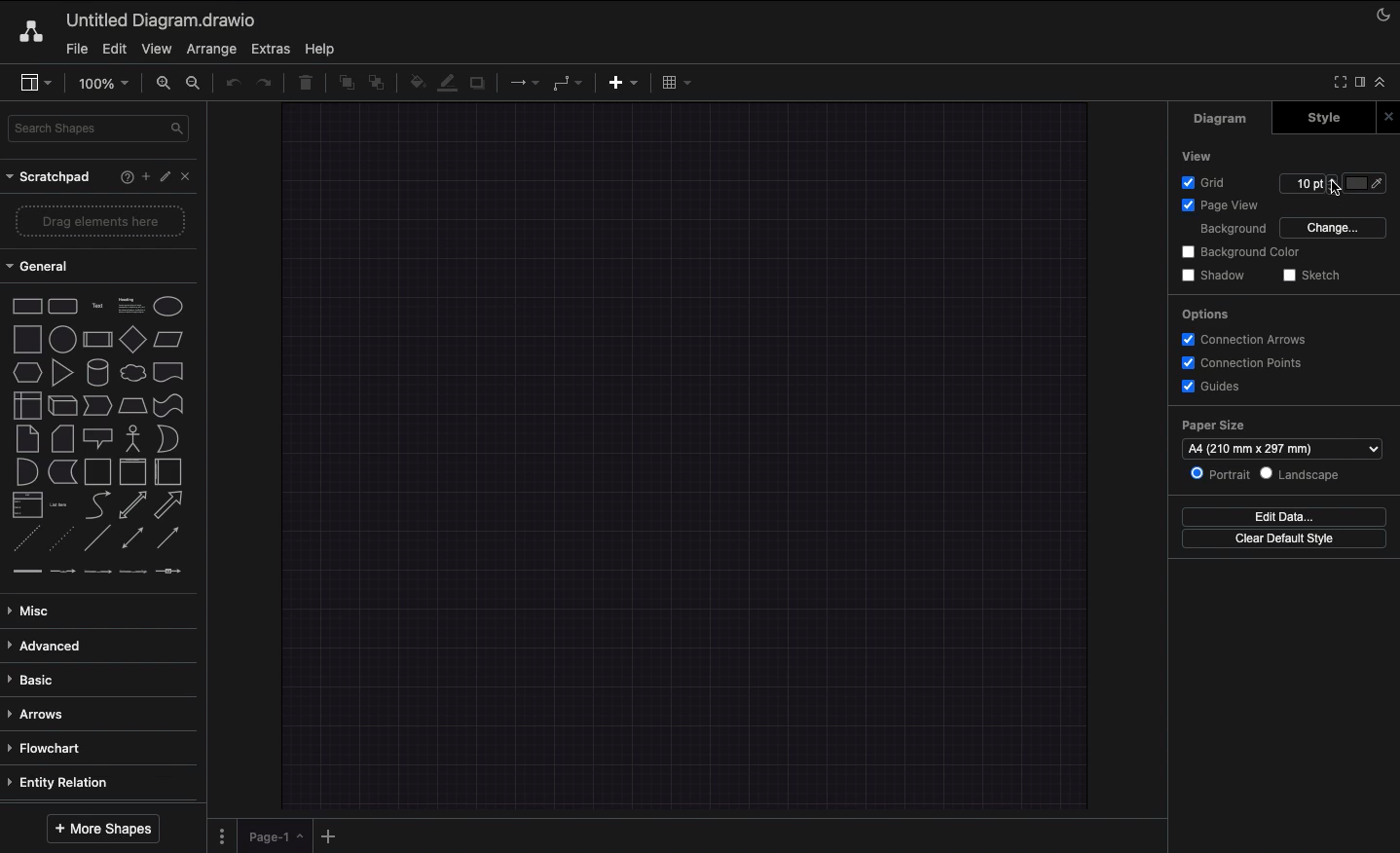 This screenshot has width=1400, height=853. What do you see at coordinates (1307, 476) in the screenshot?
I see `Landscape` at bounding box center [1307, 476].